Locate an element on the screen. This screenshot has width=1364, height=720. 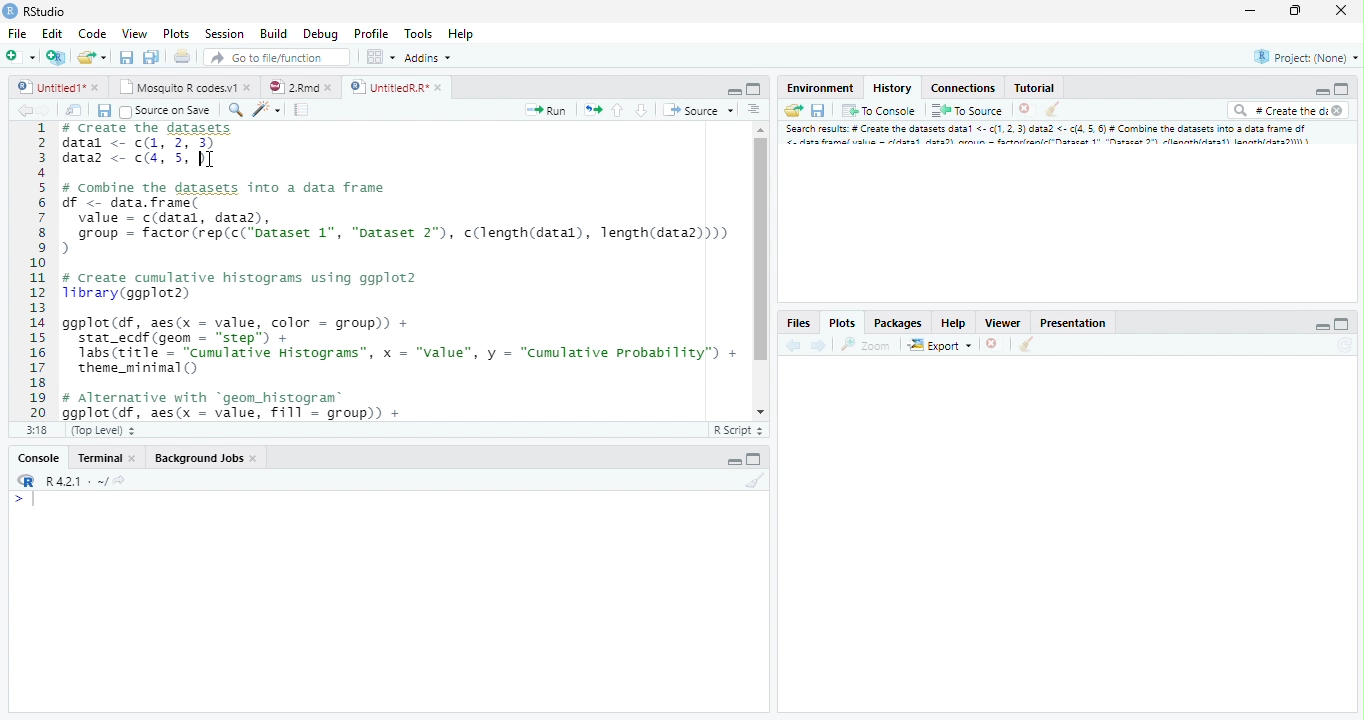
UntitledR.R is located at coordinates (396, 86).